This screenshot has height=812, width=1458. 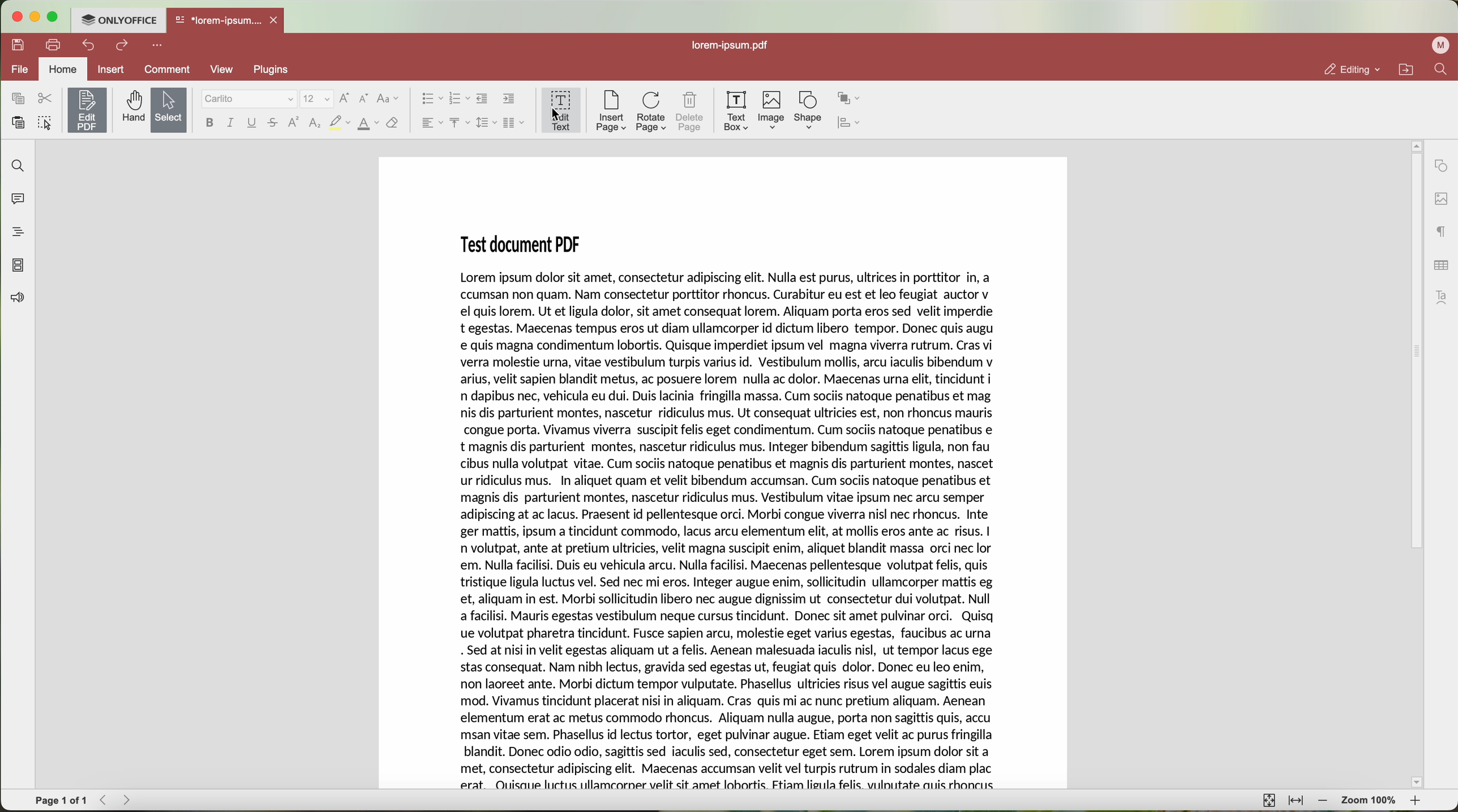 What do you see at coordinates (368, 124) in the screenshot?
I see `font color` at bounding box center [368, 124].